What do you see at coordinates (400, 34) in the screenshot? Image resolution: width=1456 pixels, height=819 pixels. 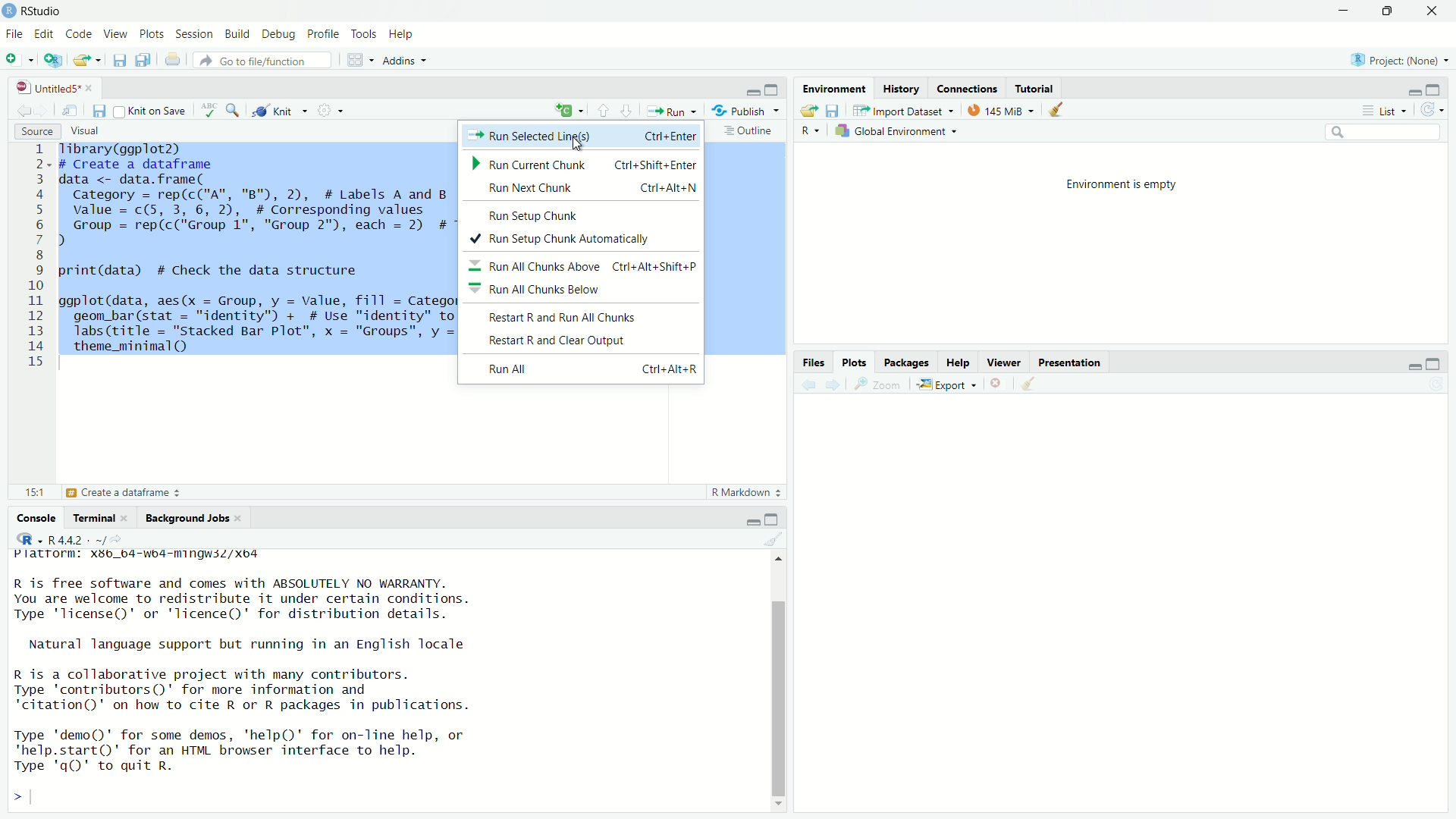 I see `Help` at bounding box center [400, 34].